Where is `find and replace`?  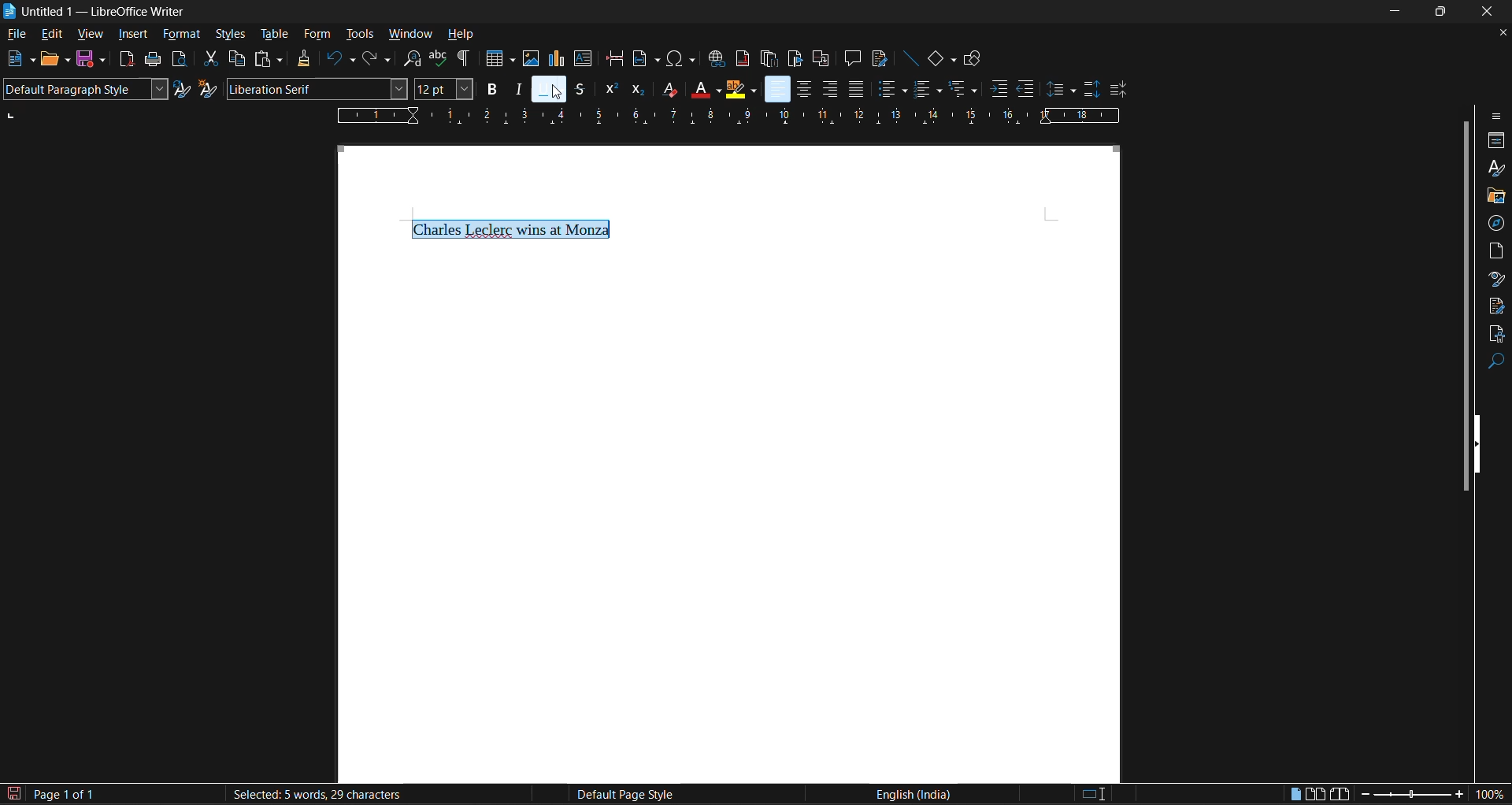
find and replace is located at coordinates (413, 58).